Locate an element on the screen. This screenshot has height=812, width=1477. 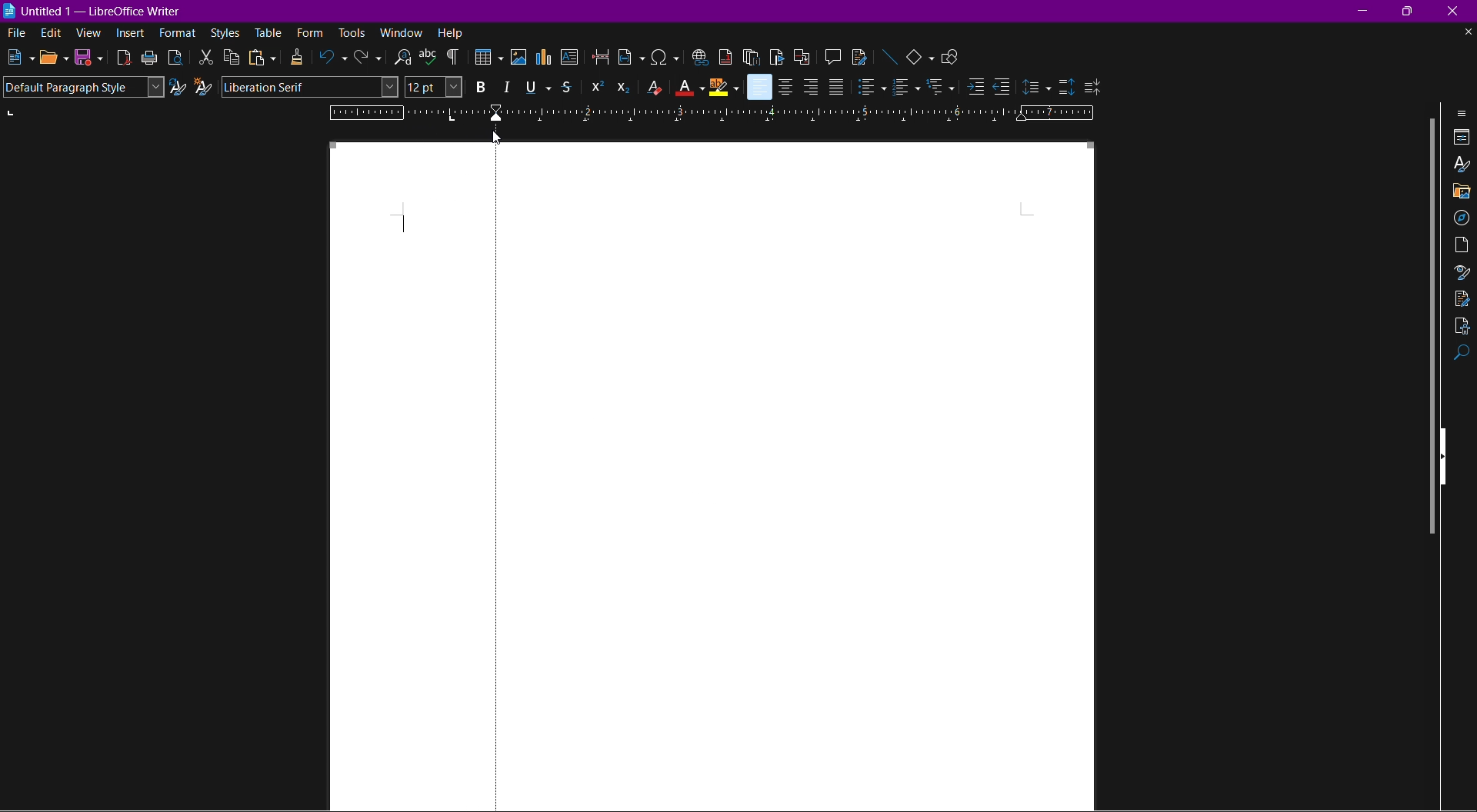
table is located at coordinates (269, 32).